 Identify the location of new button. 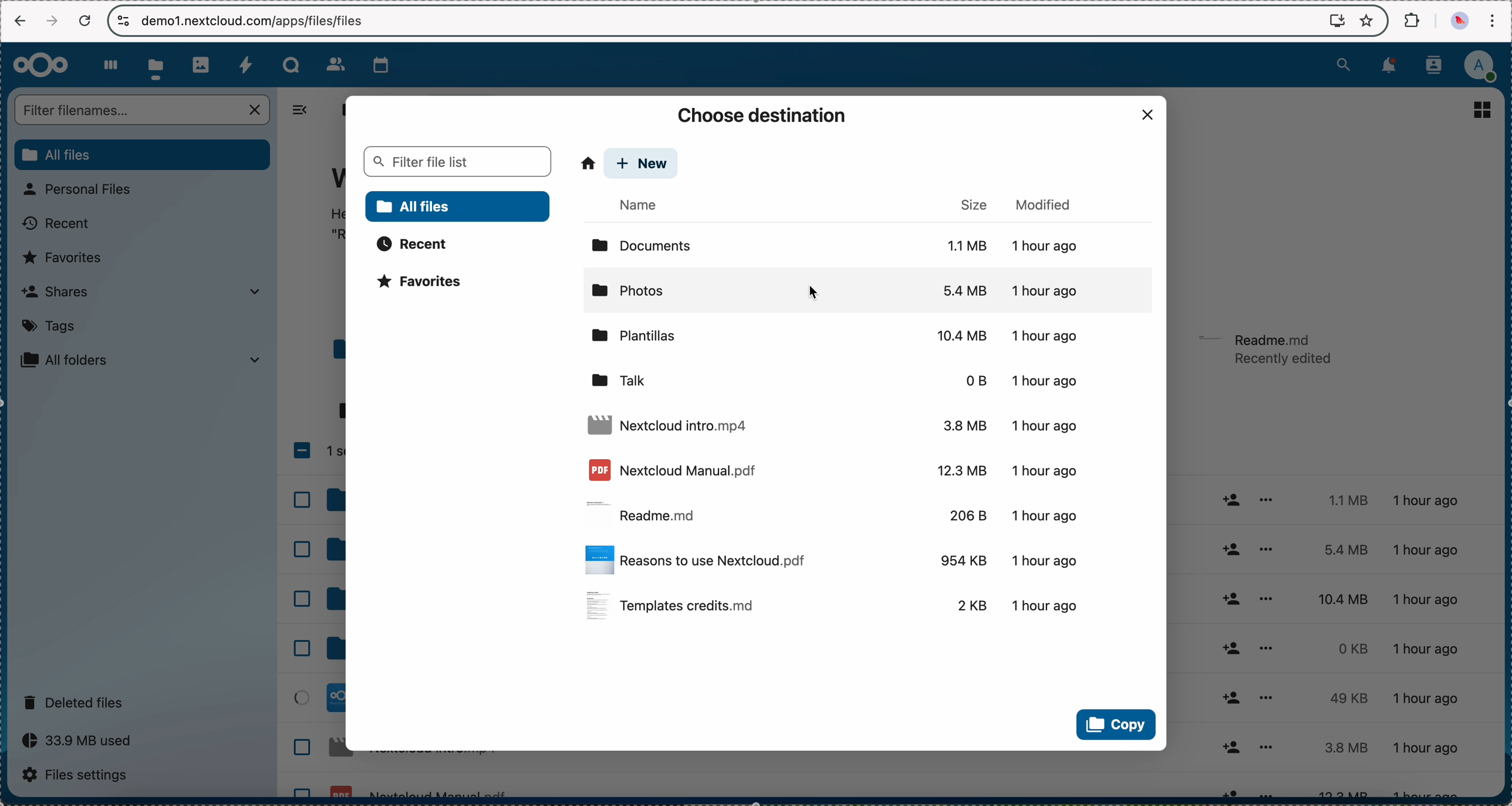
(643, 163).